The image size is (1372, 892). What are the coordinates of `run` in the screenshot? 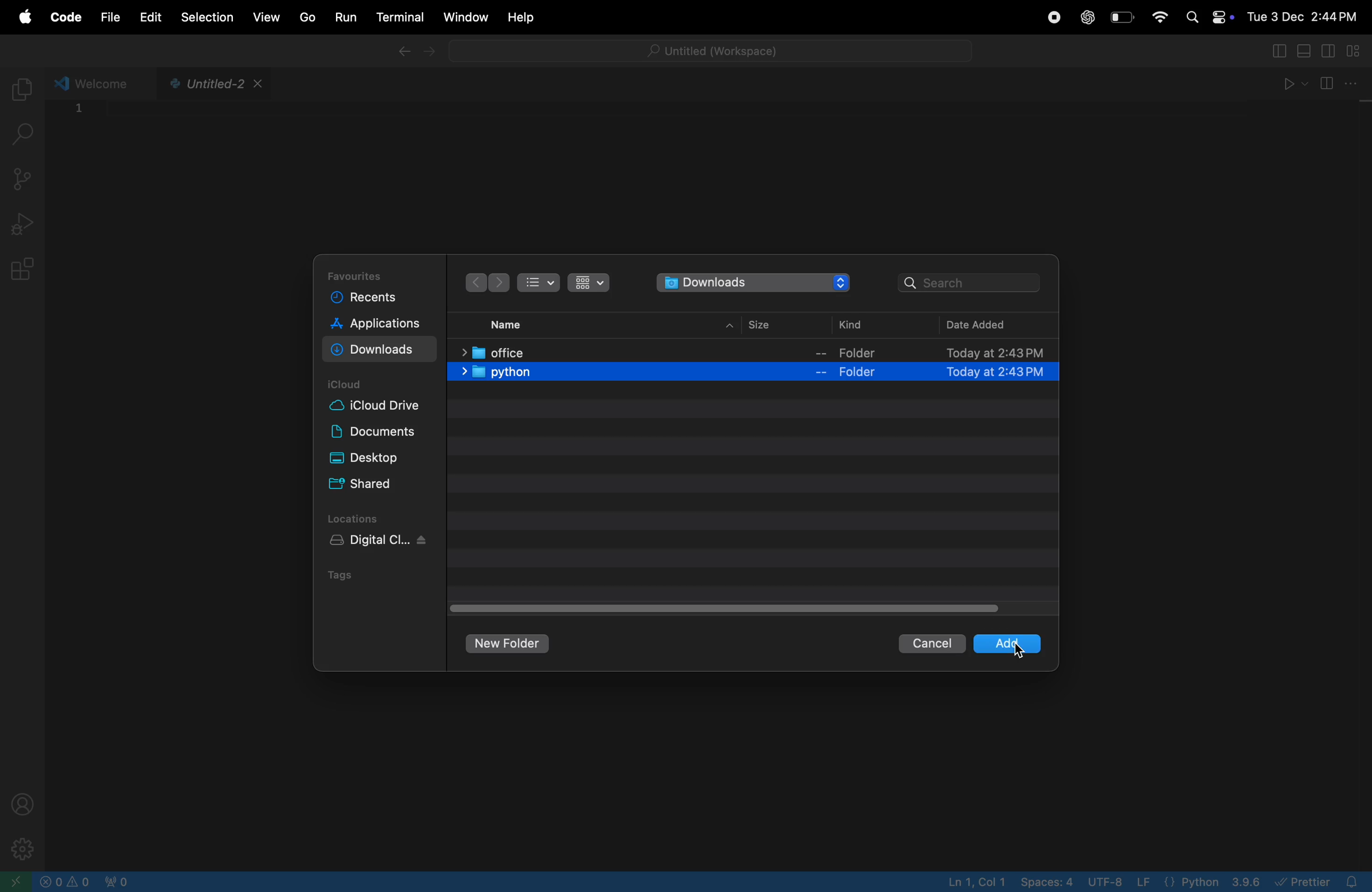 It's located at (345, 17).